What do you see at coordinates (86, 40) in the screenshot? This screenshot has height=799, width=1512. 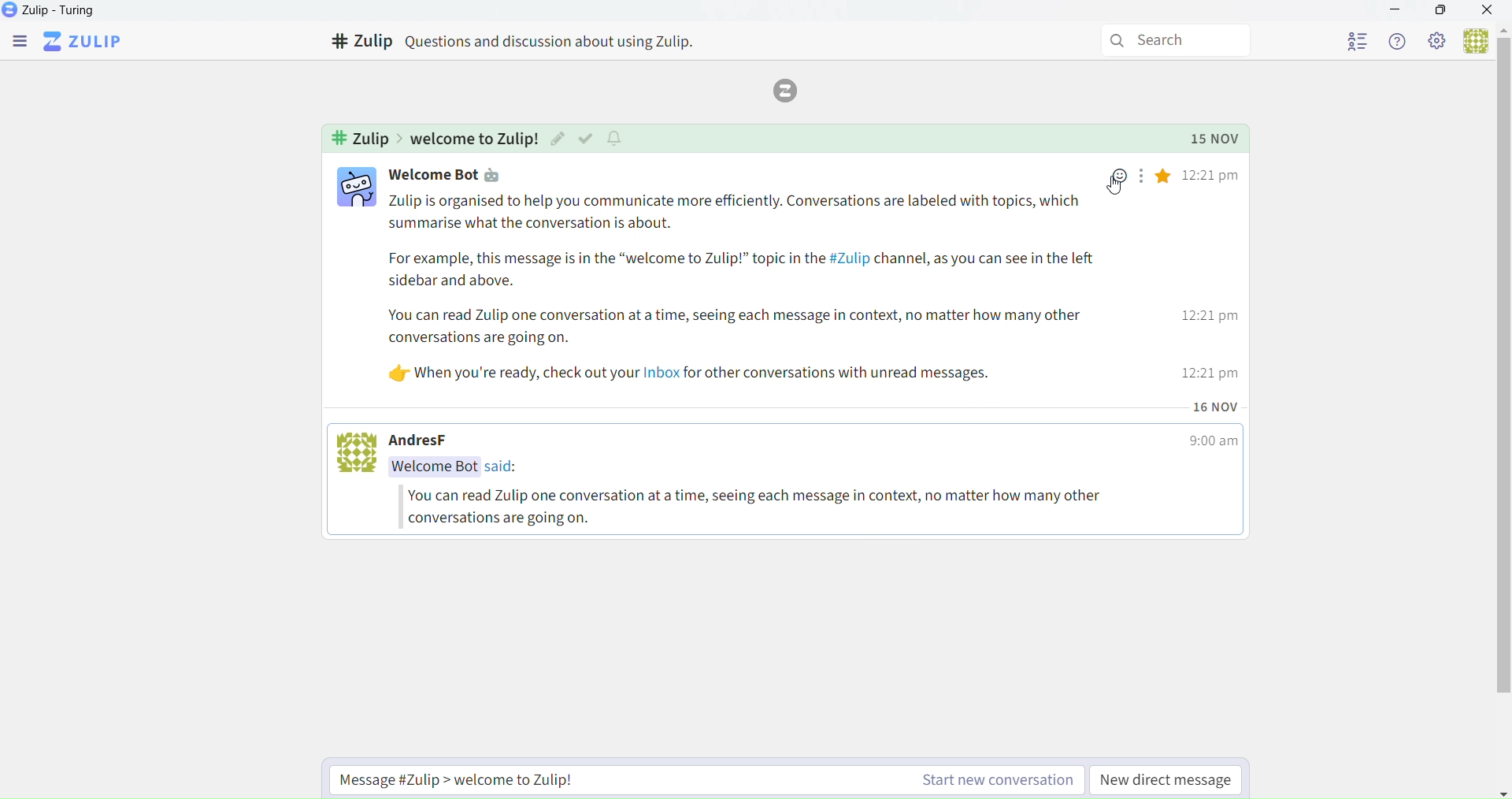 I see `Zulip` at bounding box center [86, 40].